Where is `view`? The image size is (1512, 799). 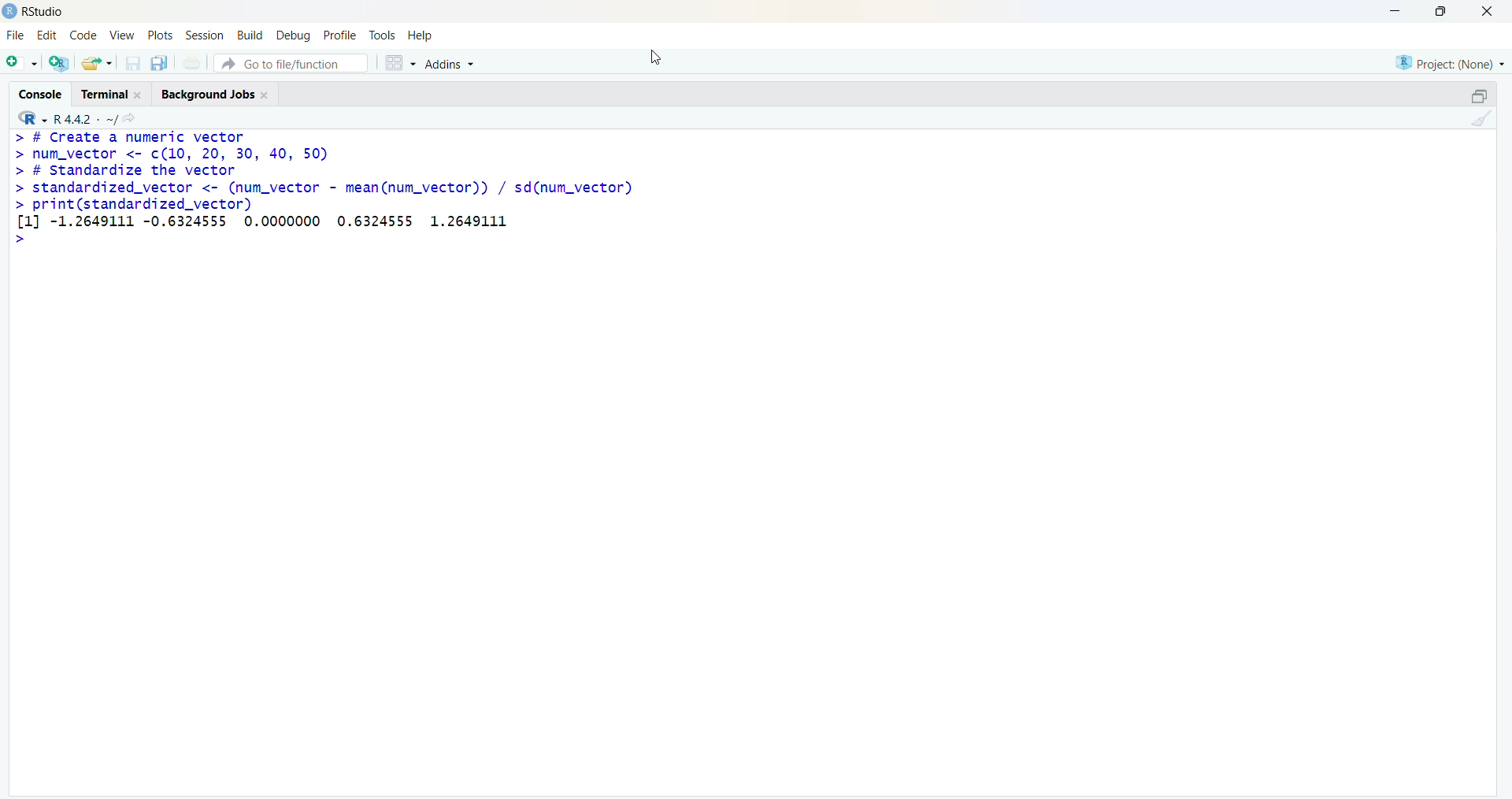 view is located at coordinates (122, 35).